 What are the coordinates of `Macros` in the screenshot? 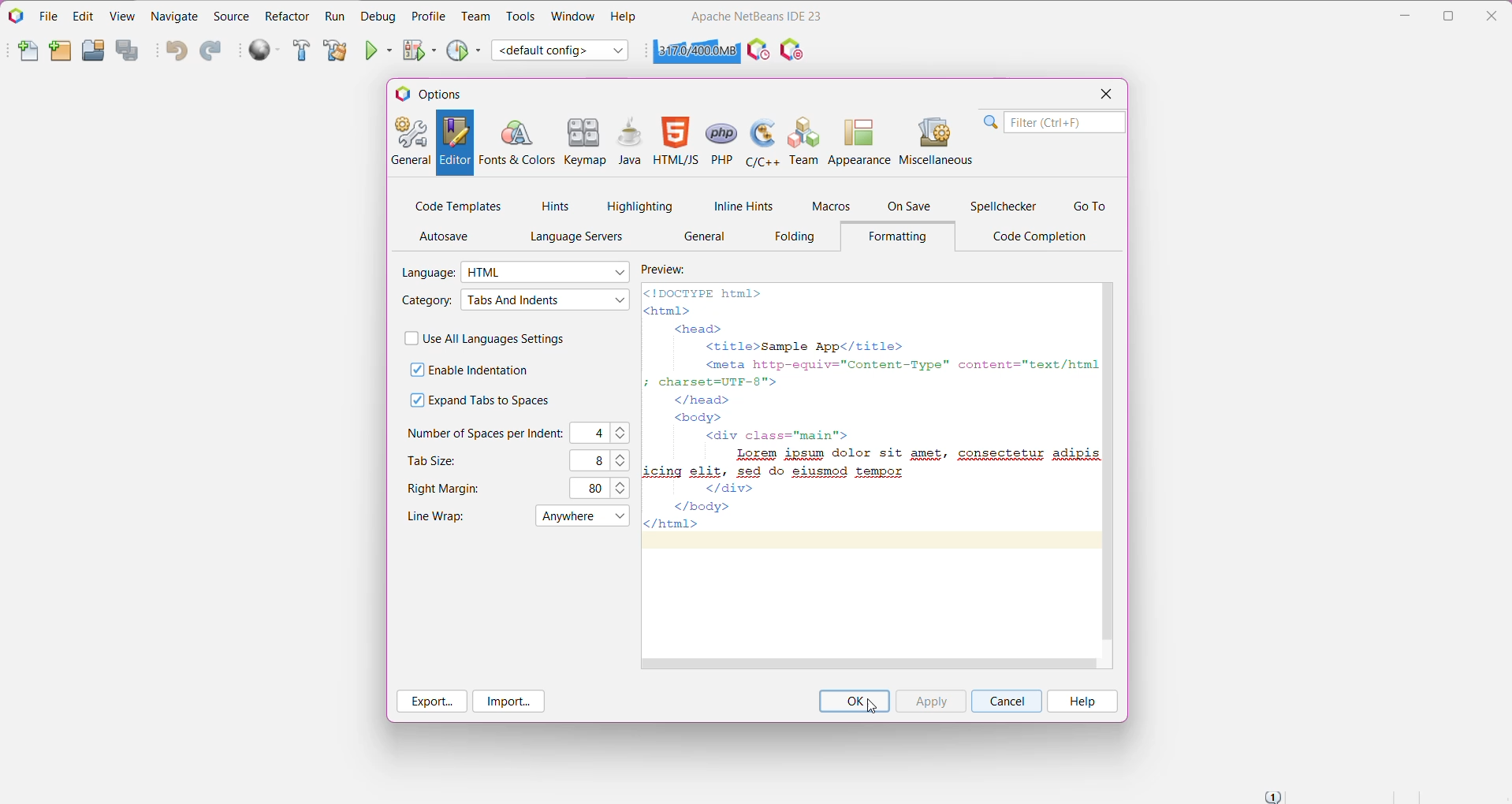 It's located at (829, 208).